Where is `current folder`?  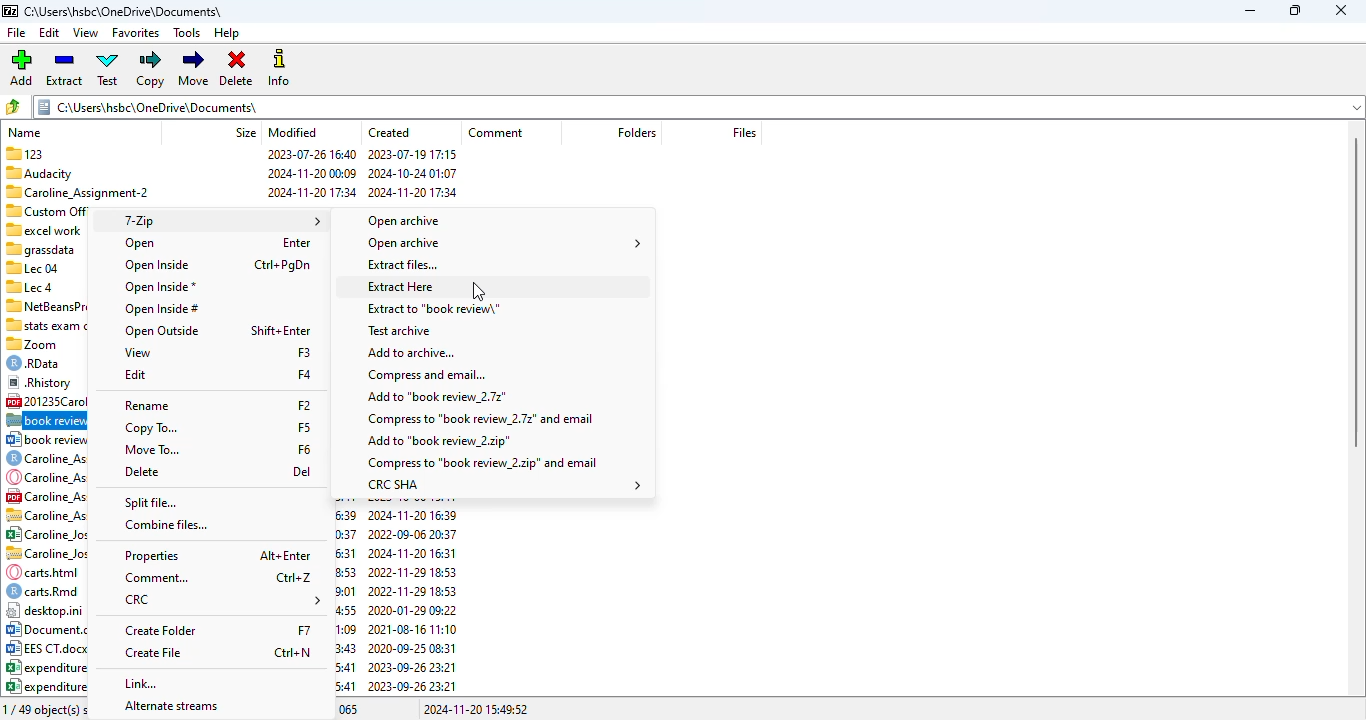 current folder is located at coordinates (698, 106).